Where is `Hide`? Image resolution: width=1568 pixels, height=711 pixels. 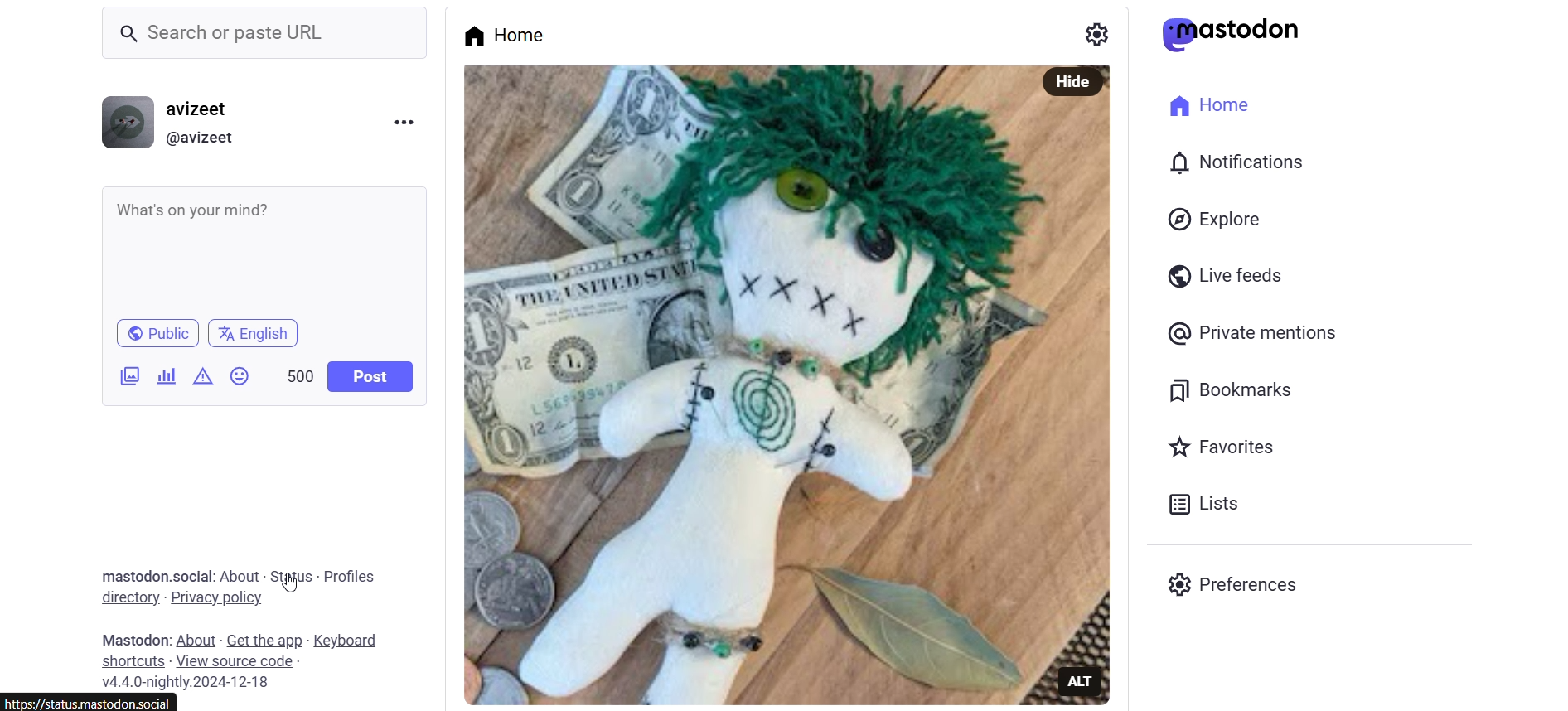
Hide is located at coordinates (1073, 81).